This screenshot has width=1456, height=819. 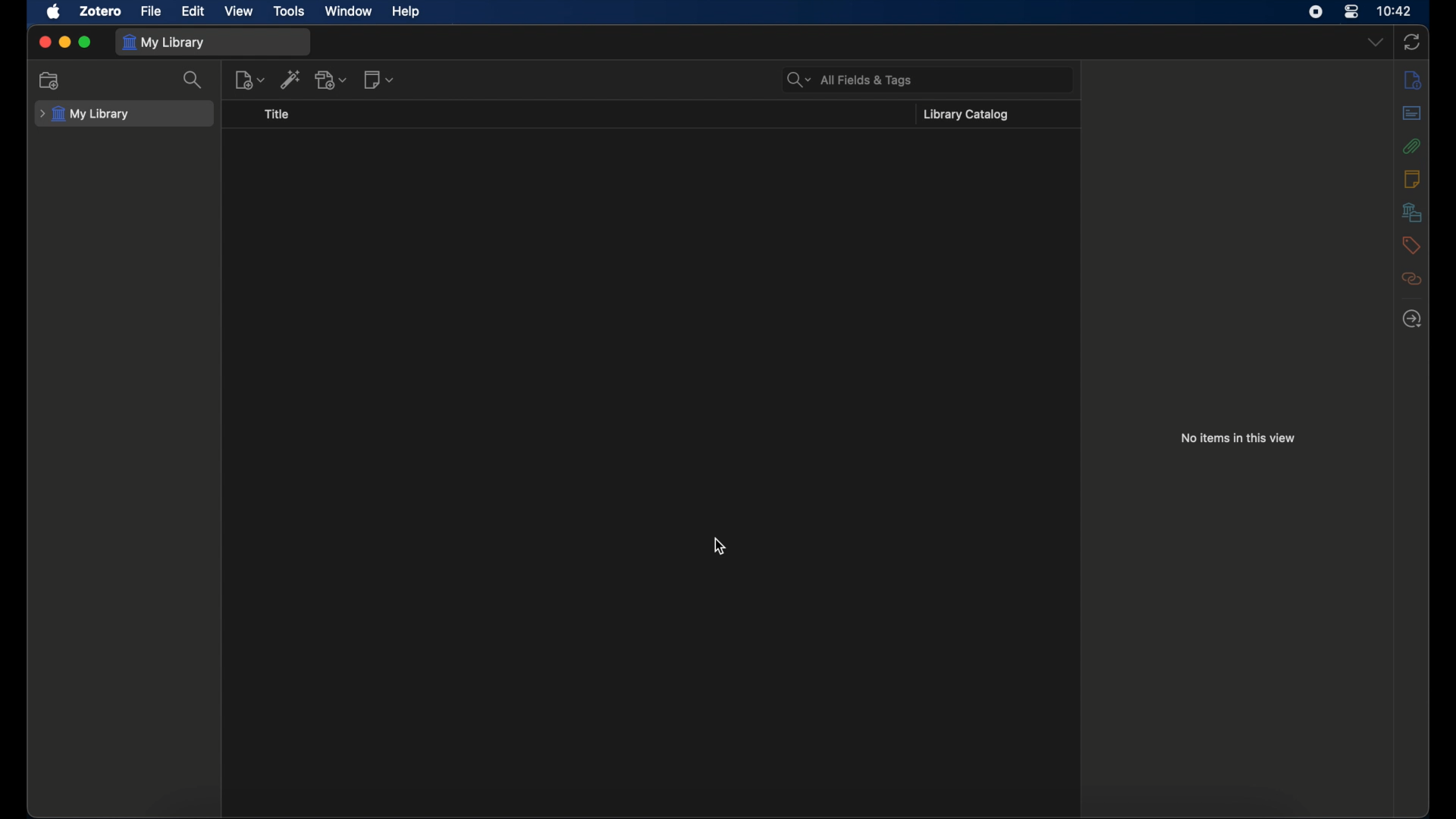 I want to click on libraries, so click(x=1412, y=212).